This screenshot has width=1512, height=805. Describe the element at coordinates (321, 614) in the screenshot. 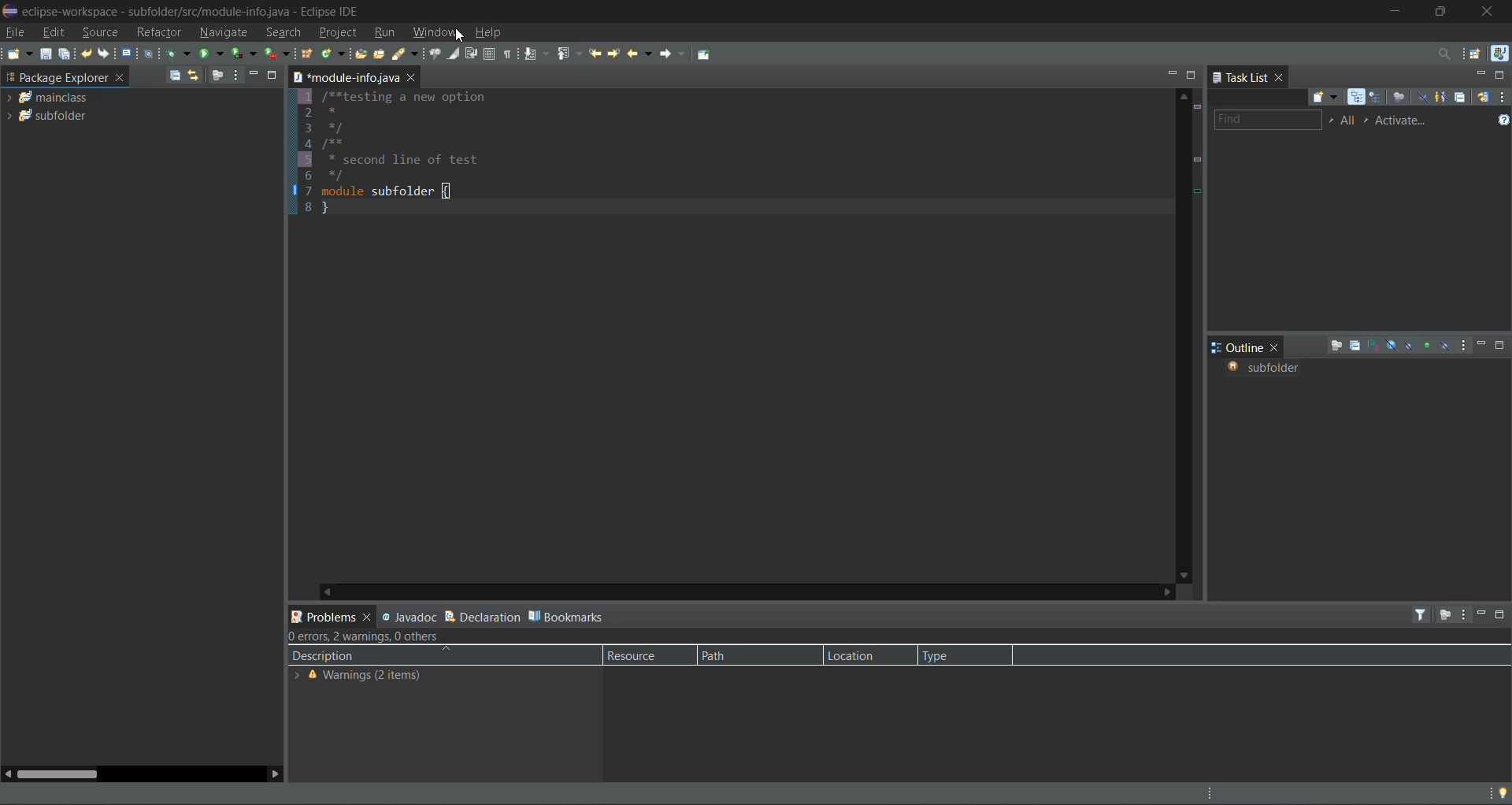

I see `problems` at that location.